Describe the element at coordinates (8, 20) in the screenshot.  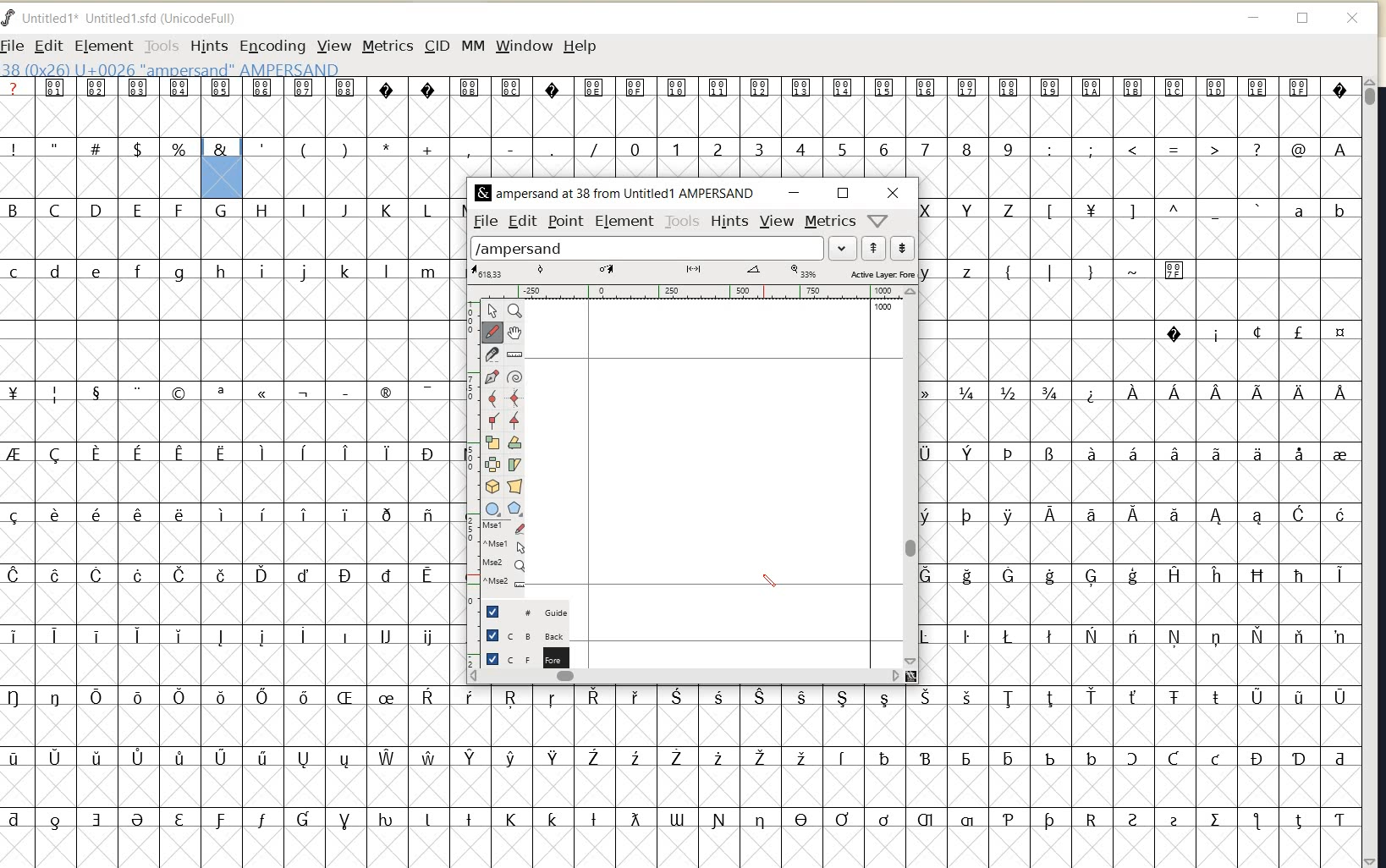
I see `fontforge logo` at that location.